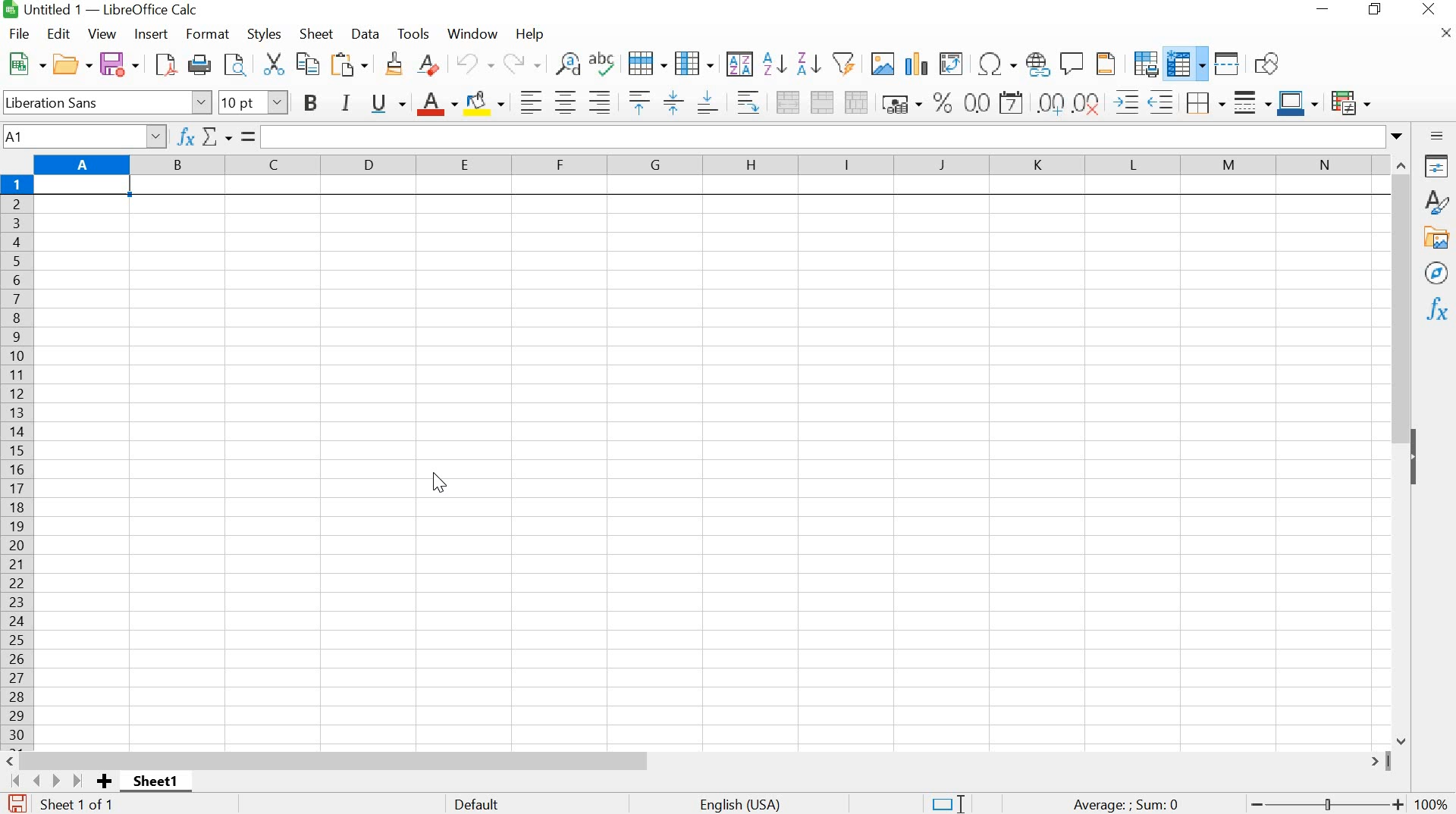  Describe the element at coordinates (1354, 100) in the screenshot. I see `CONDITIONAL` at that location.